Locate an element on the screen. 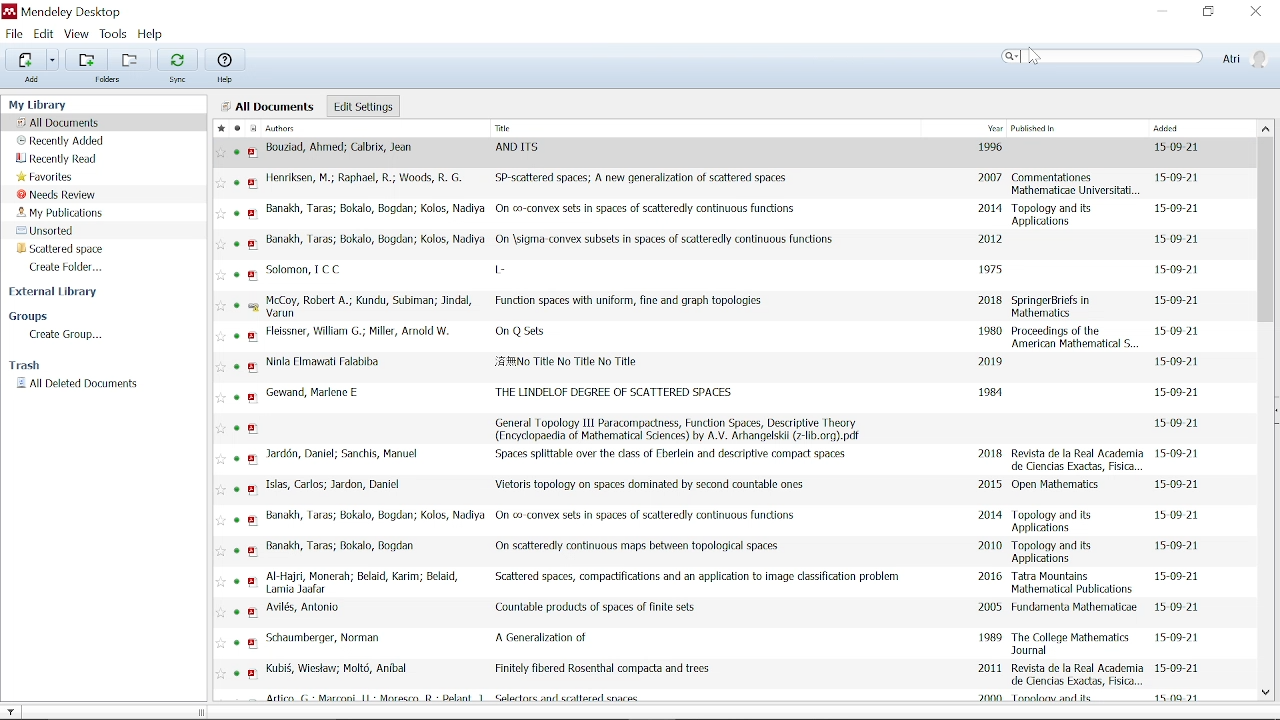  Schaumberger, Norman A Generalization of 1989 The College Mathematics Journal 15-09-21 is located at coordinates (727, 643).